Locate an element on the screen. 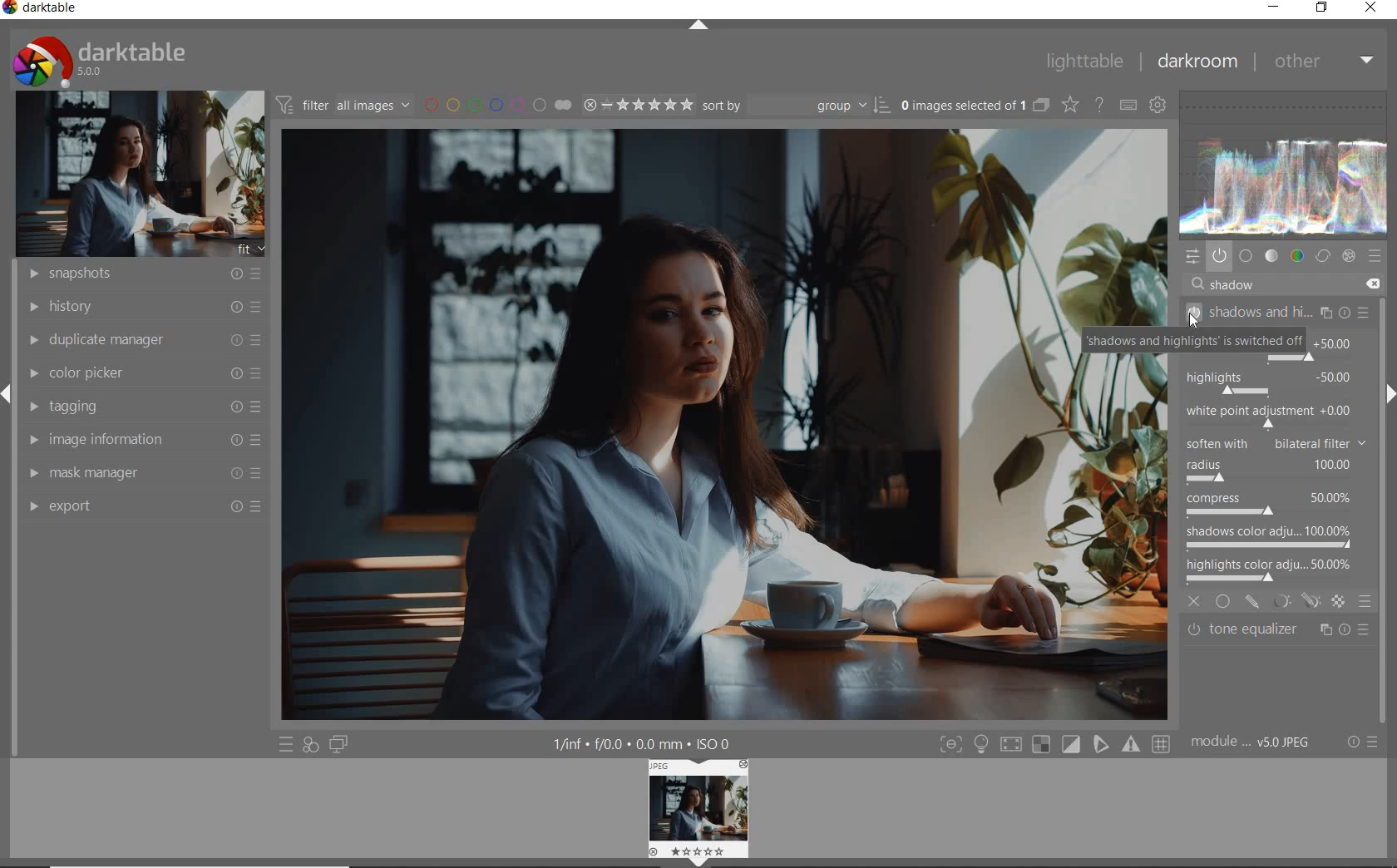 The height and width of the screenshot is (868, 1397). module order is located at coordinates (1256, 744).